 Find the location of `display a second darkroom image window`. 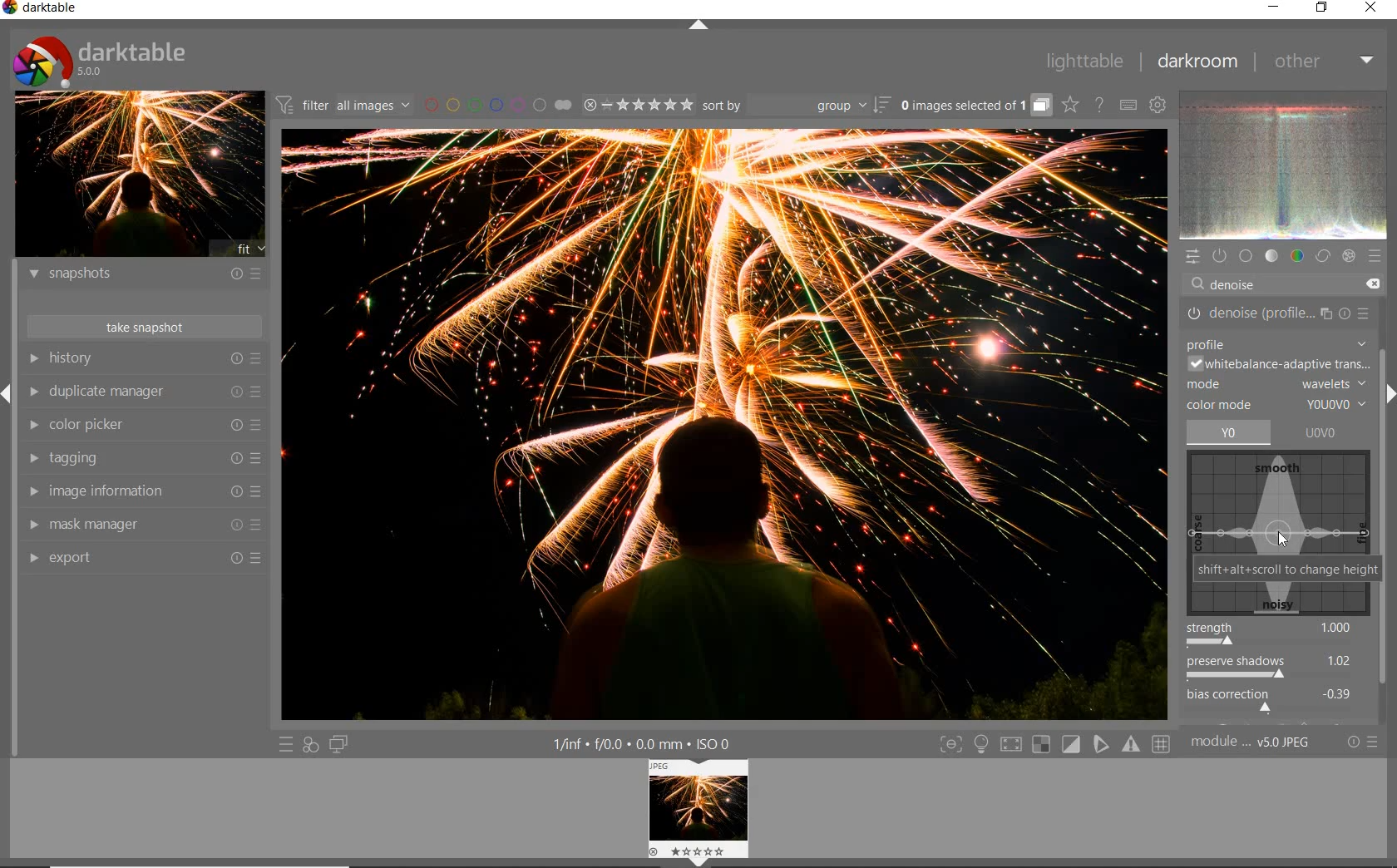

display a second darkroom image window is located at coordinates (341, 745).